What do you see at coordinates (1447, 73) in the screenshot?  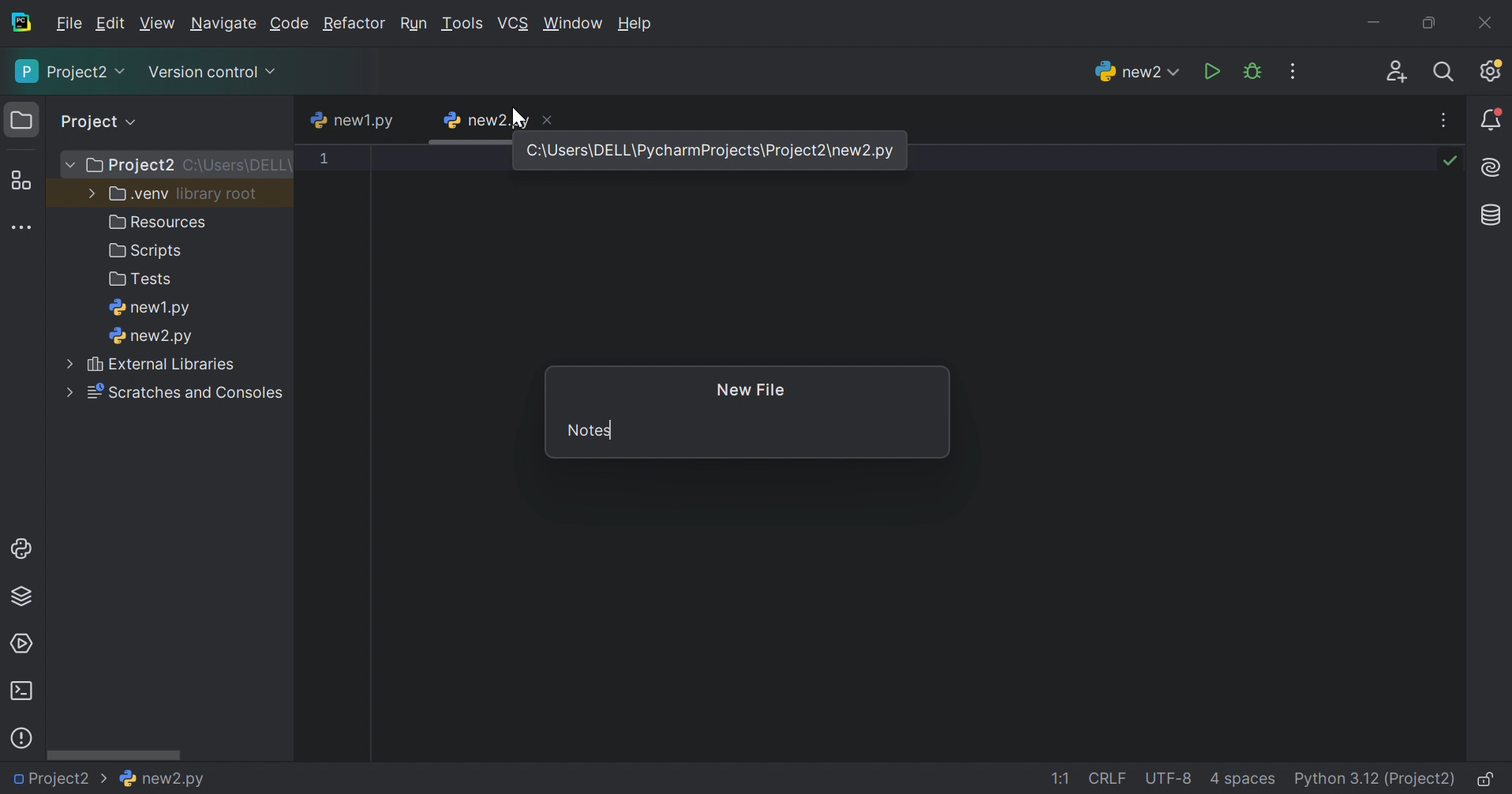 I see `Search everywhere` at bounding box center [1447, 73].